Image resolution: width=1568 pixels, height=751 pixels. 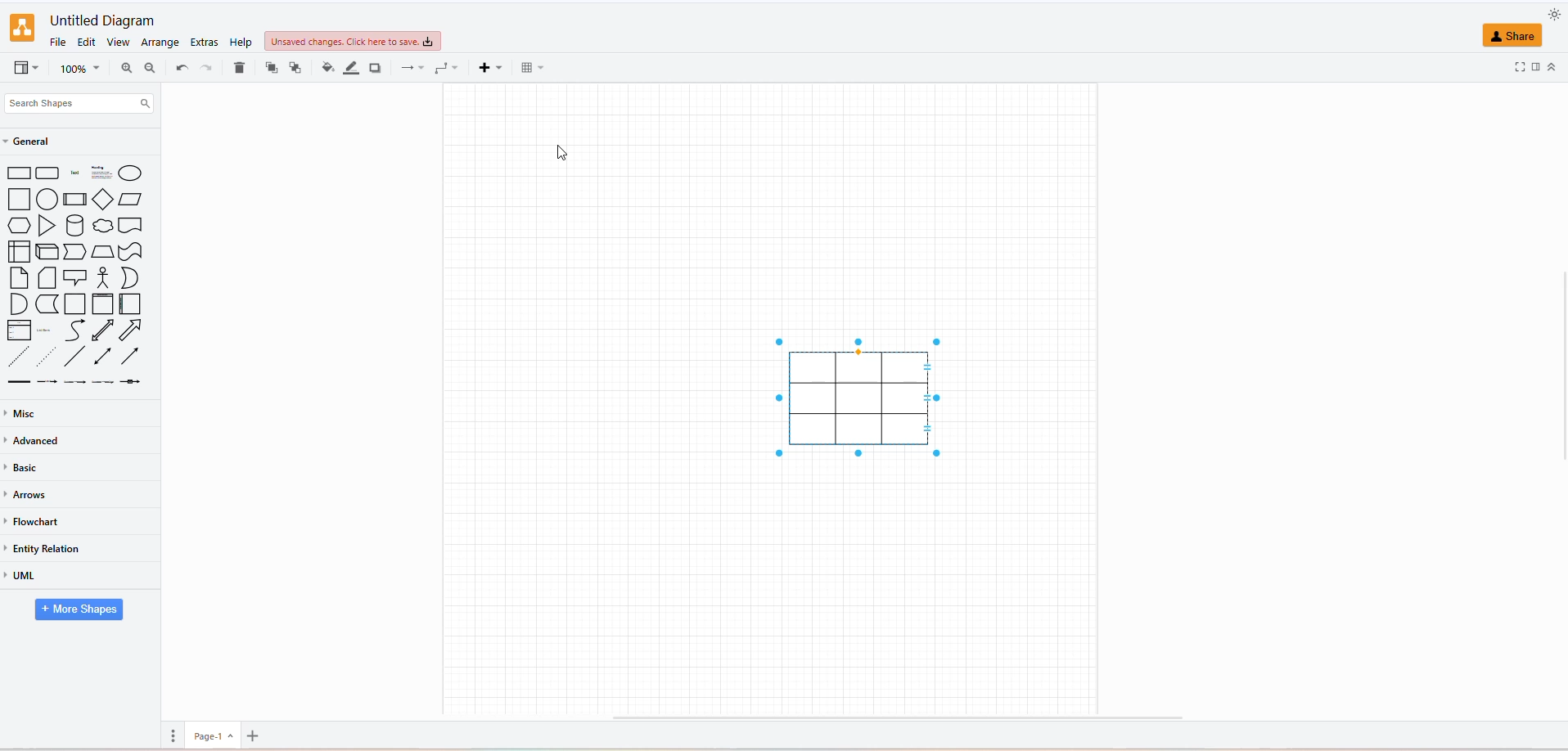 What do you see at coordinates (36, 143) in the screenshot?
I see `general` at bounding box center [36, 143].